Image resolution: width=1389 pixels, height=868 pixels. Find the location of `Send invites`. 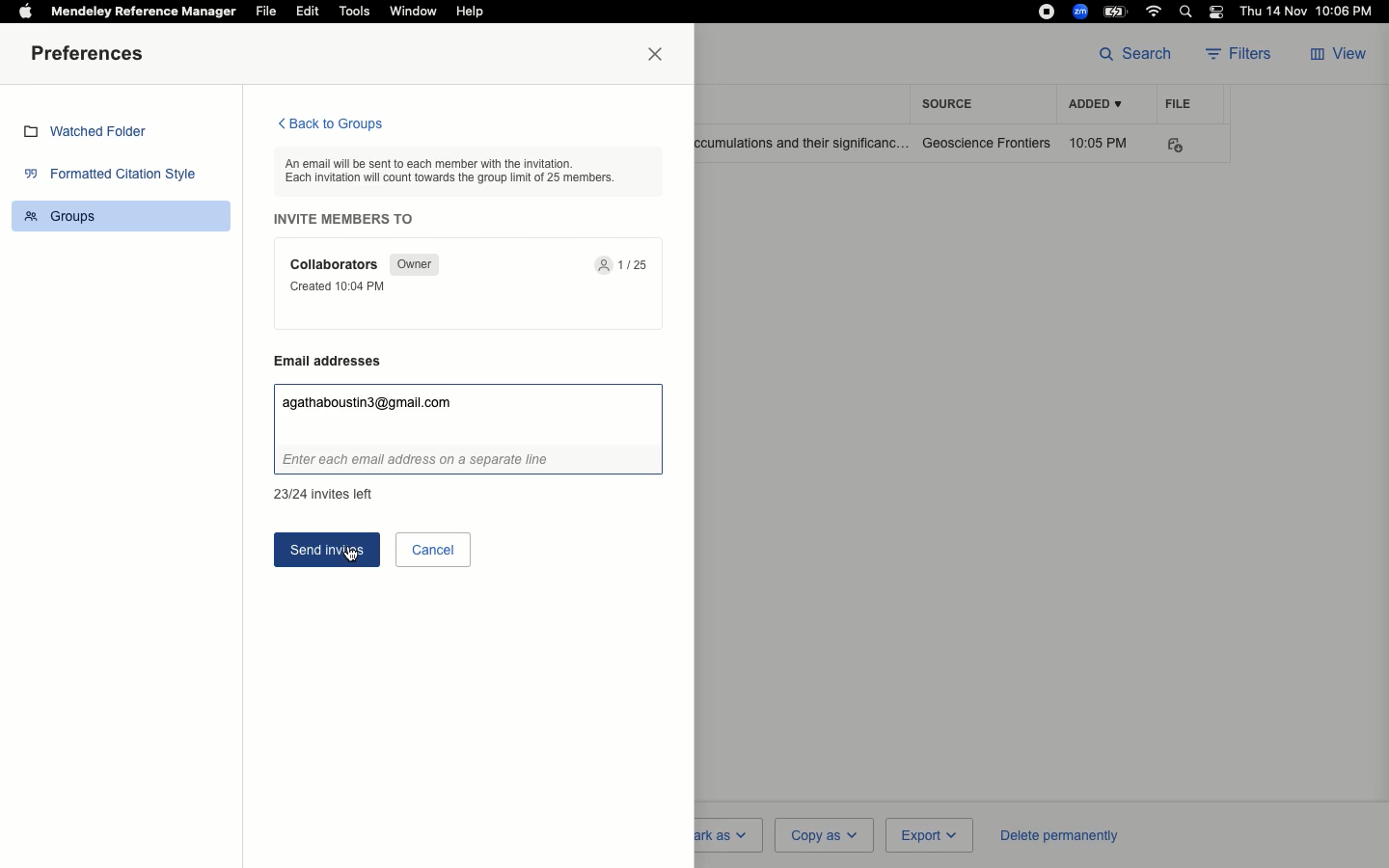

Send invites is located at coordinates (329, 549).